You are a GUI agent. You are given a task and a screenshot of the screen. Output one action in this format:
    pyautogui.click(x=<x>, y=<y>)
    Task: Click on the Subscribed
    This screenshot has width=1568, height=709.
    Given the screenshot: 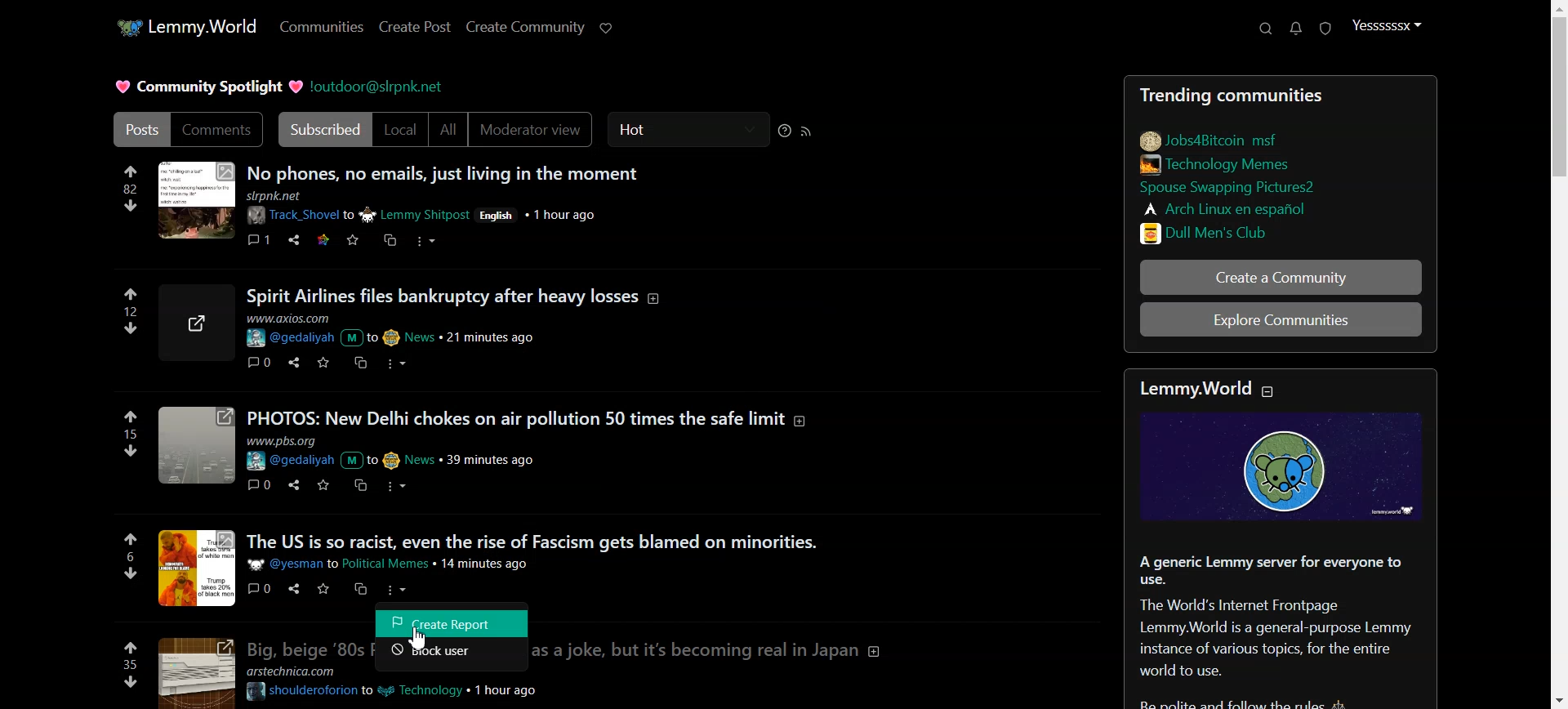 What is the action you would take?
    pyautogui.click(x=322, y=130)
    